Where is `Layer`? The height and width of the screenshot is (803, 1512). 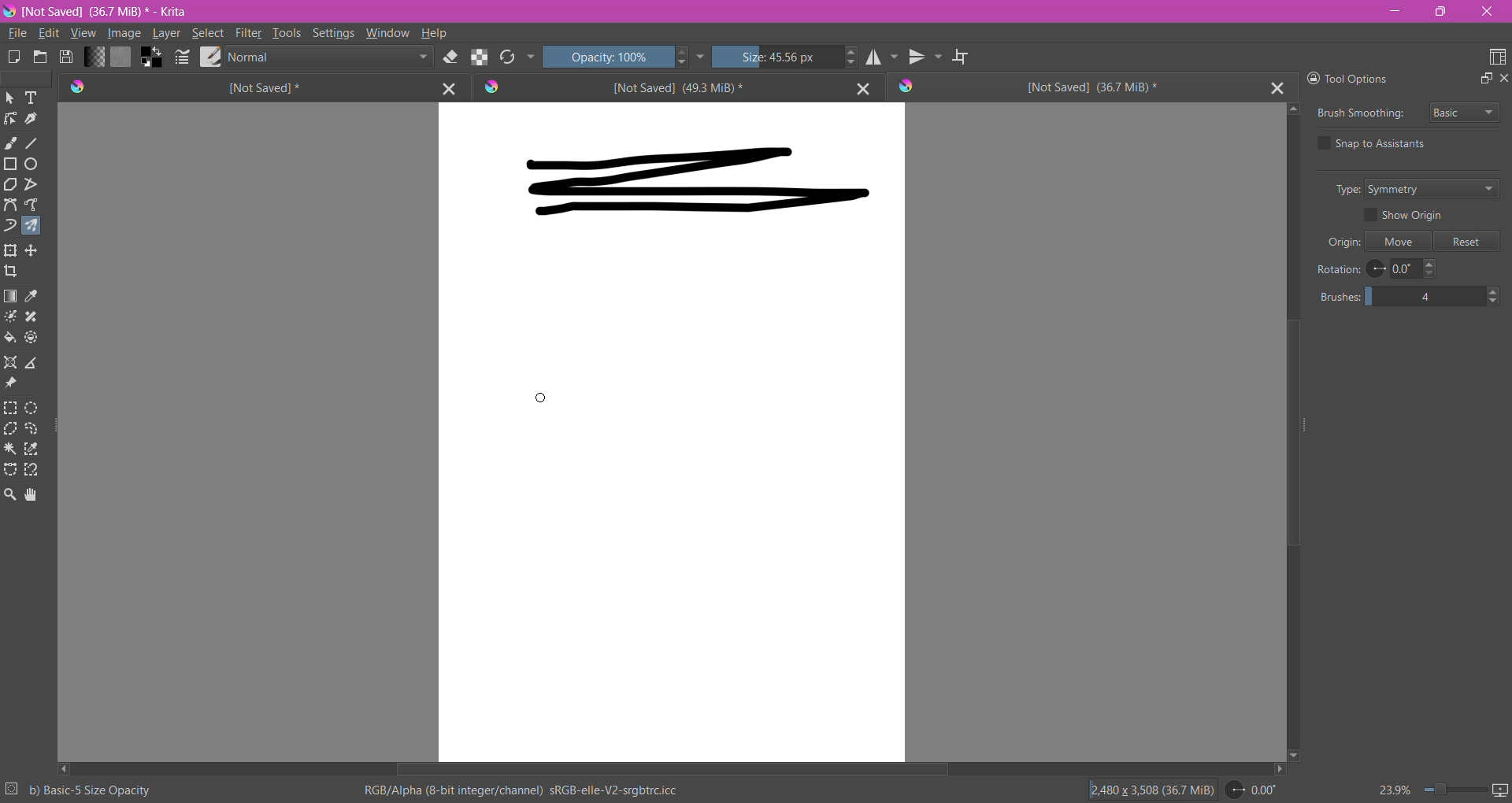
Layer is located at coordinates (165, 35).